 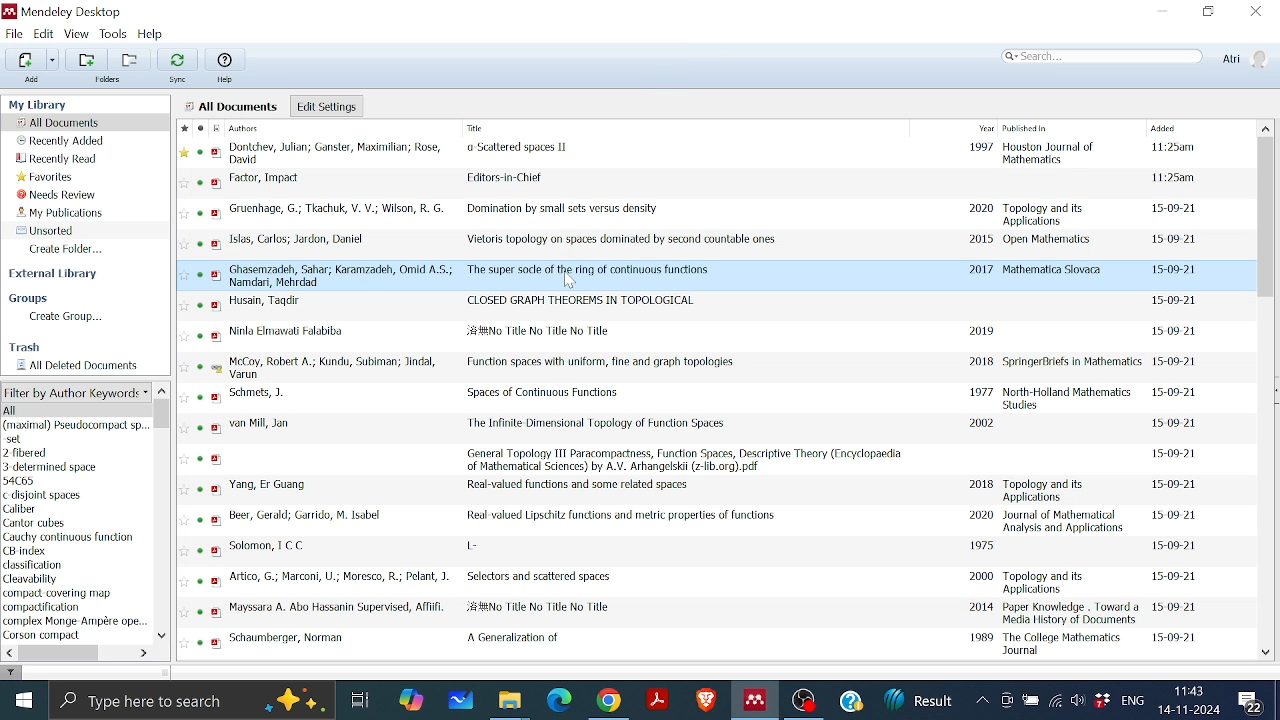 What do you see at coordinates (1192, 699) in the screenshot?
I see `Date and time` at bounding box center [1192, 699].